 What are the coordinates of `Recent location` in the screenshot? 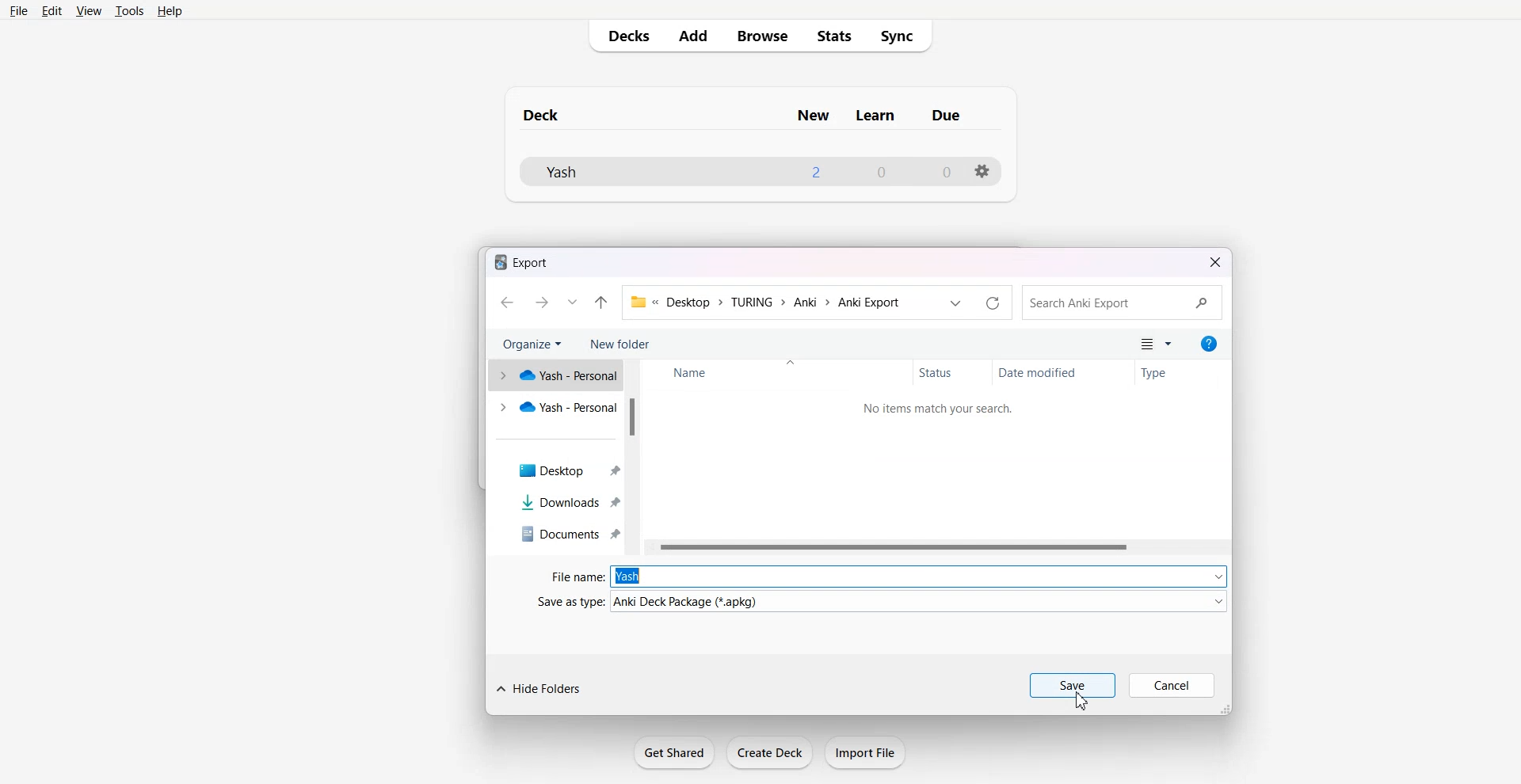 It's located at (574, 303).